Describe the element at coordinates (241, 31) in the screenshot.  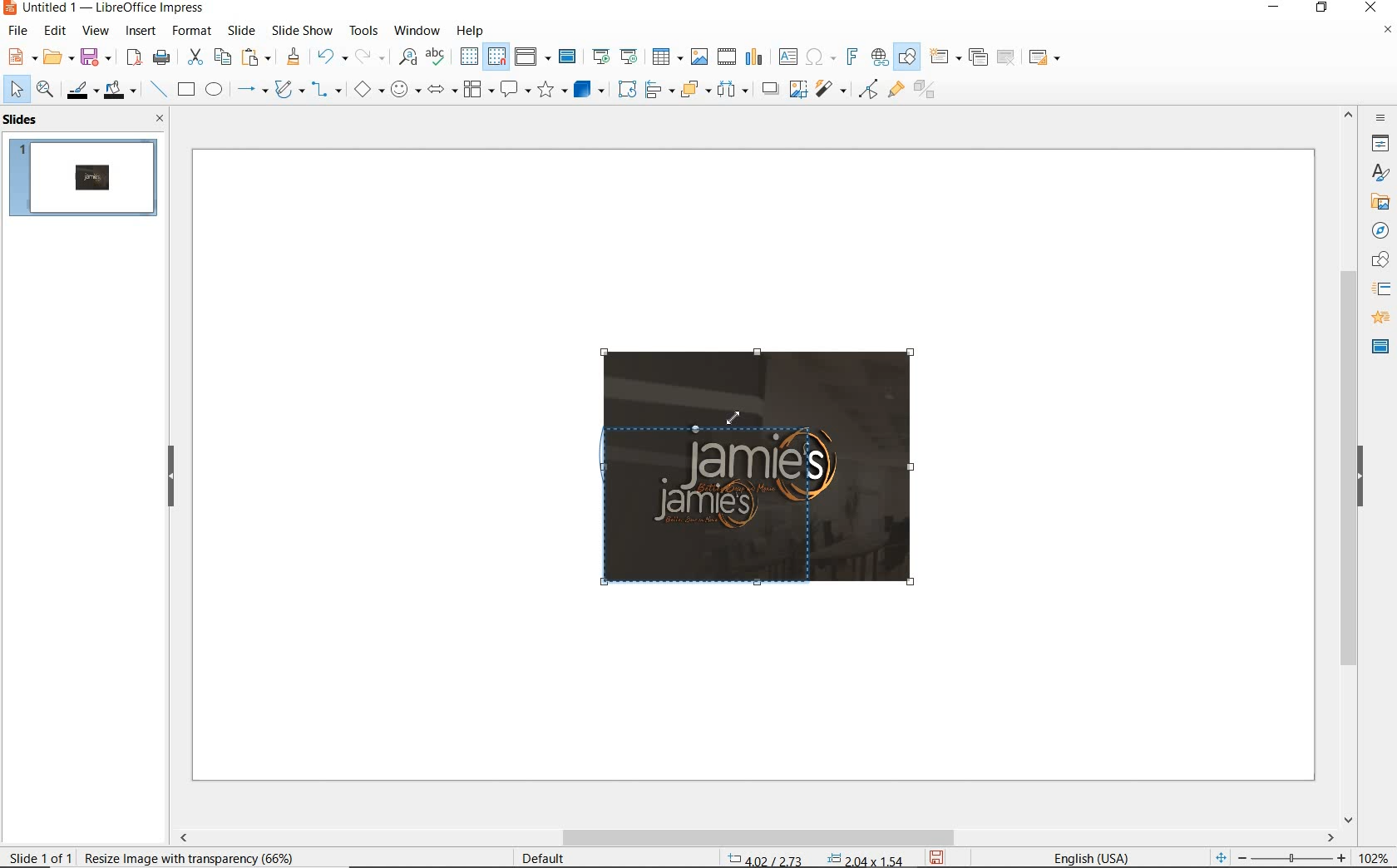
I see `slide` at that location.